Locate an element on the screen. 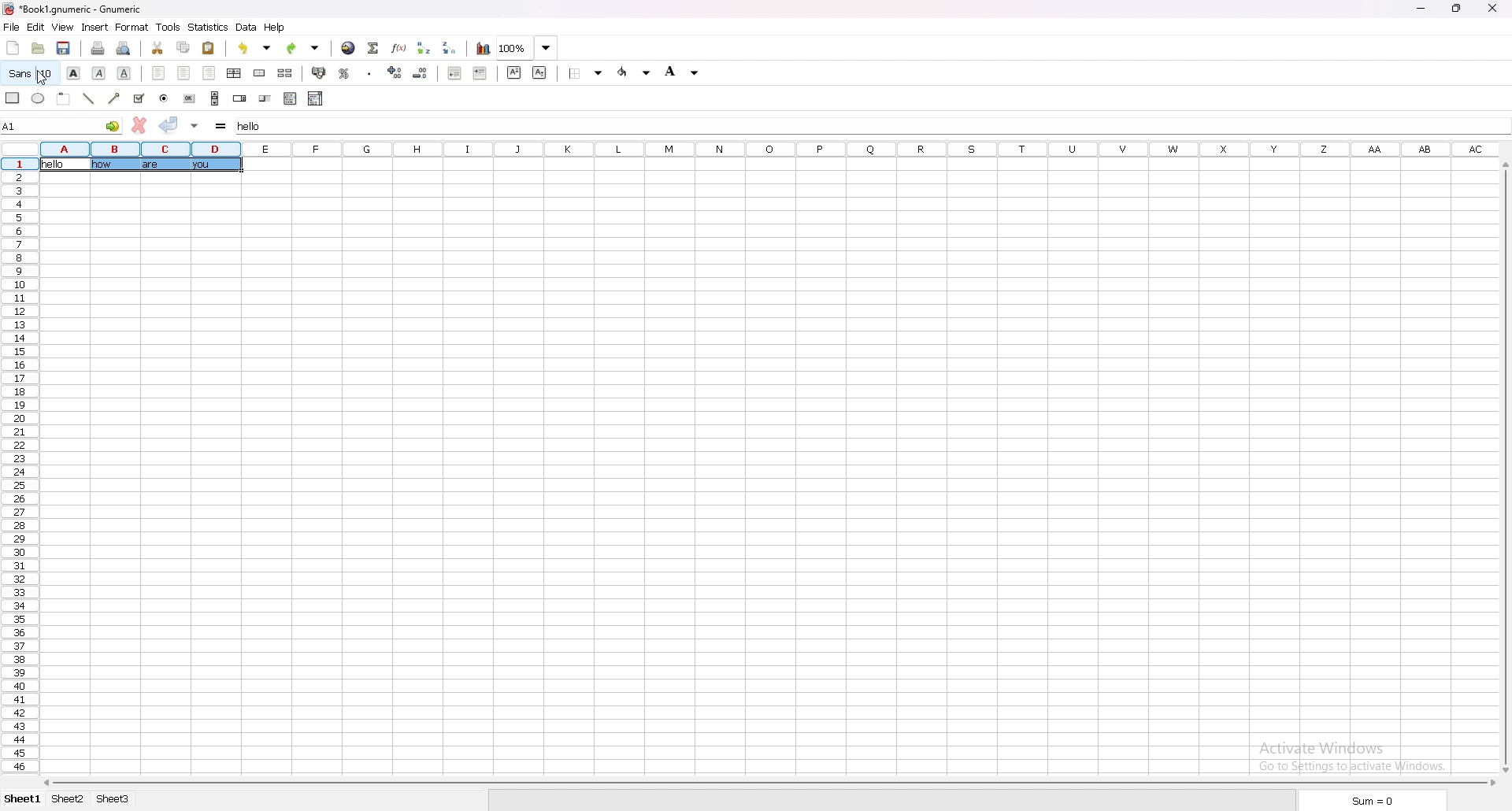 This screenshot has height=811, width=1512. edit is located at coordinates (36, 26).